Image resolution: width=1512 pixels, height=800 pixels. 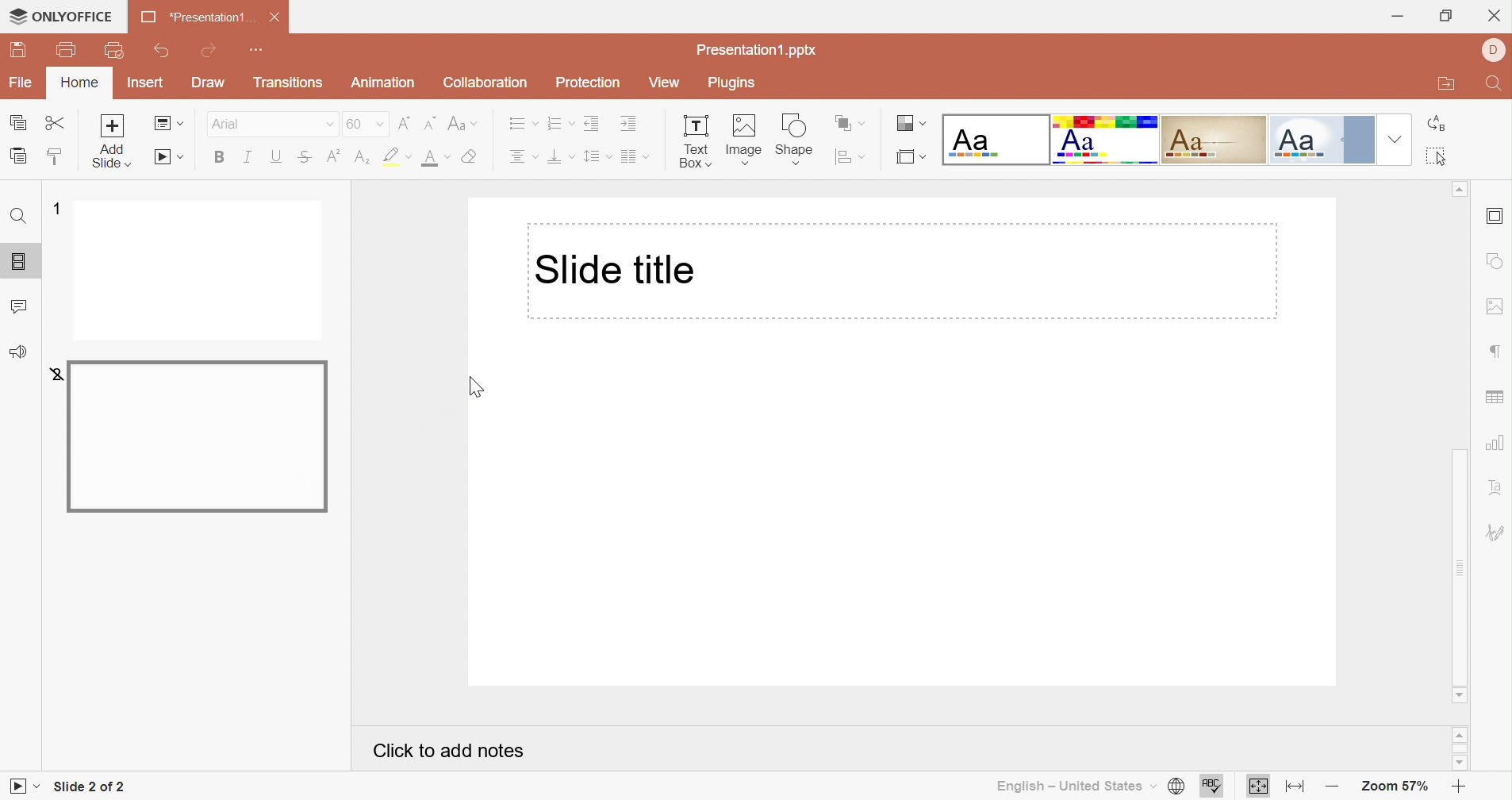 What do you see at coordinates (1495, 260) in the screenshot?
I see `Shape settings` at bounding box center [1495, 260].